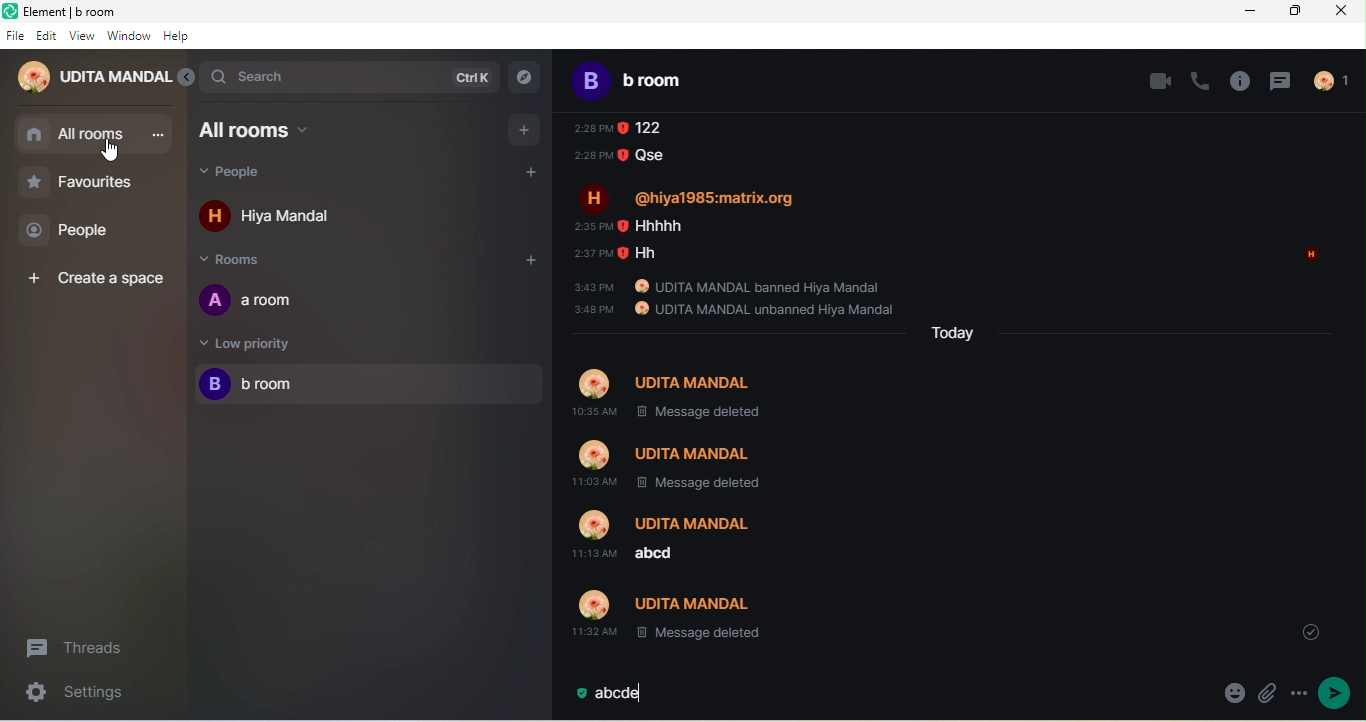 The height and width of the screenshot is (722, 1366). What do you see at coordinates (1297, 694) in the screenshot?
I see `options` at bounding box center [1297, 694].